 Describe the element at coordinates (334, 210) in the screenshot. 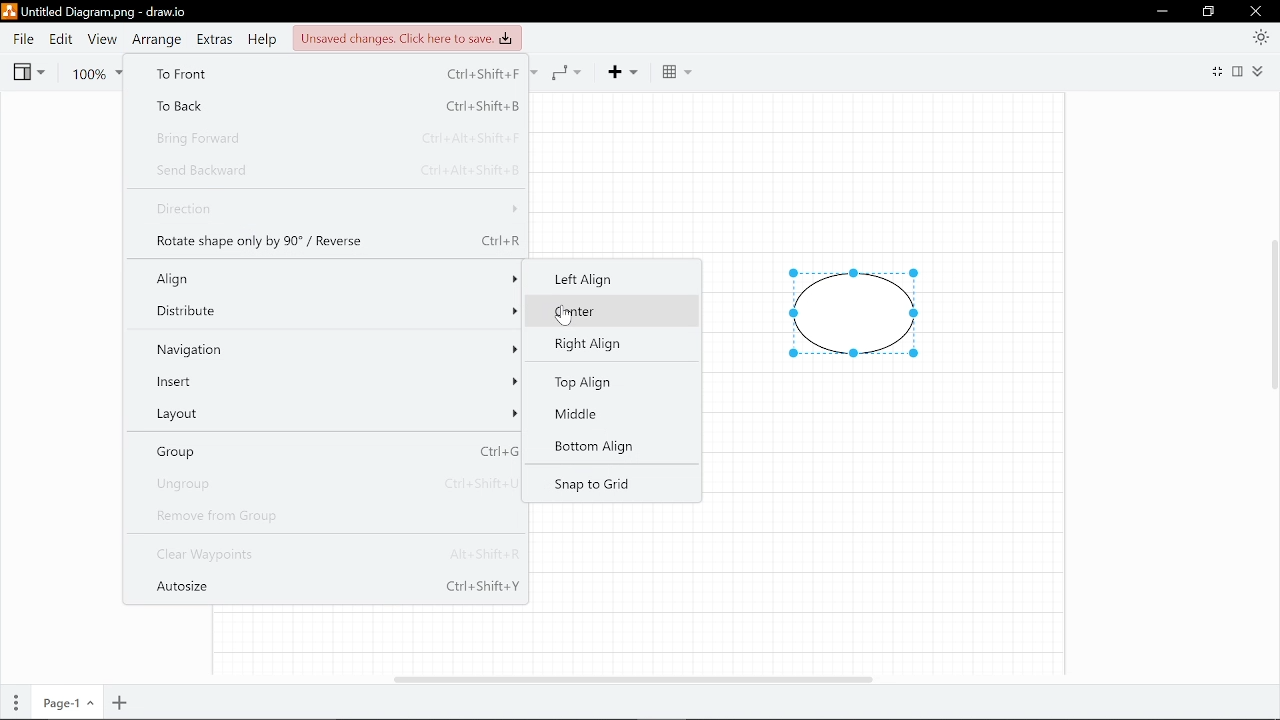

I see `Direction` at that location.